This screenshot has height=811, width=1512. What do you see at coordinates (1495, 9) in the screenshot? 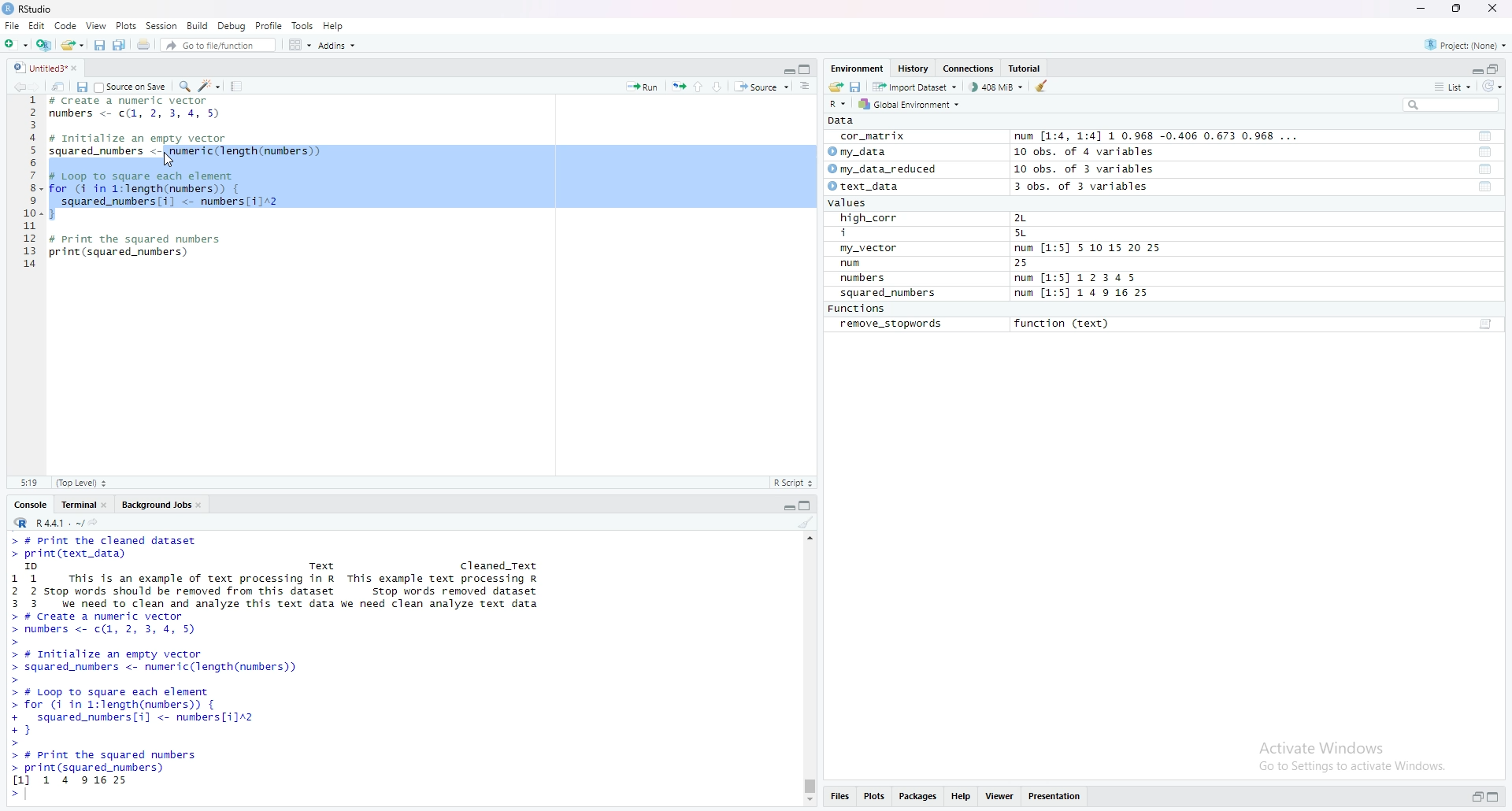
I see `close` at bounding box center [1495, 9].